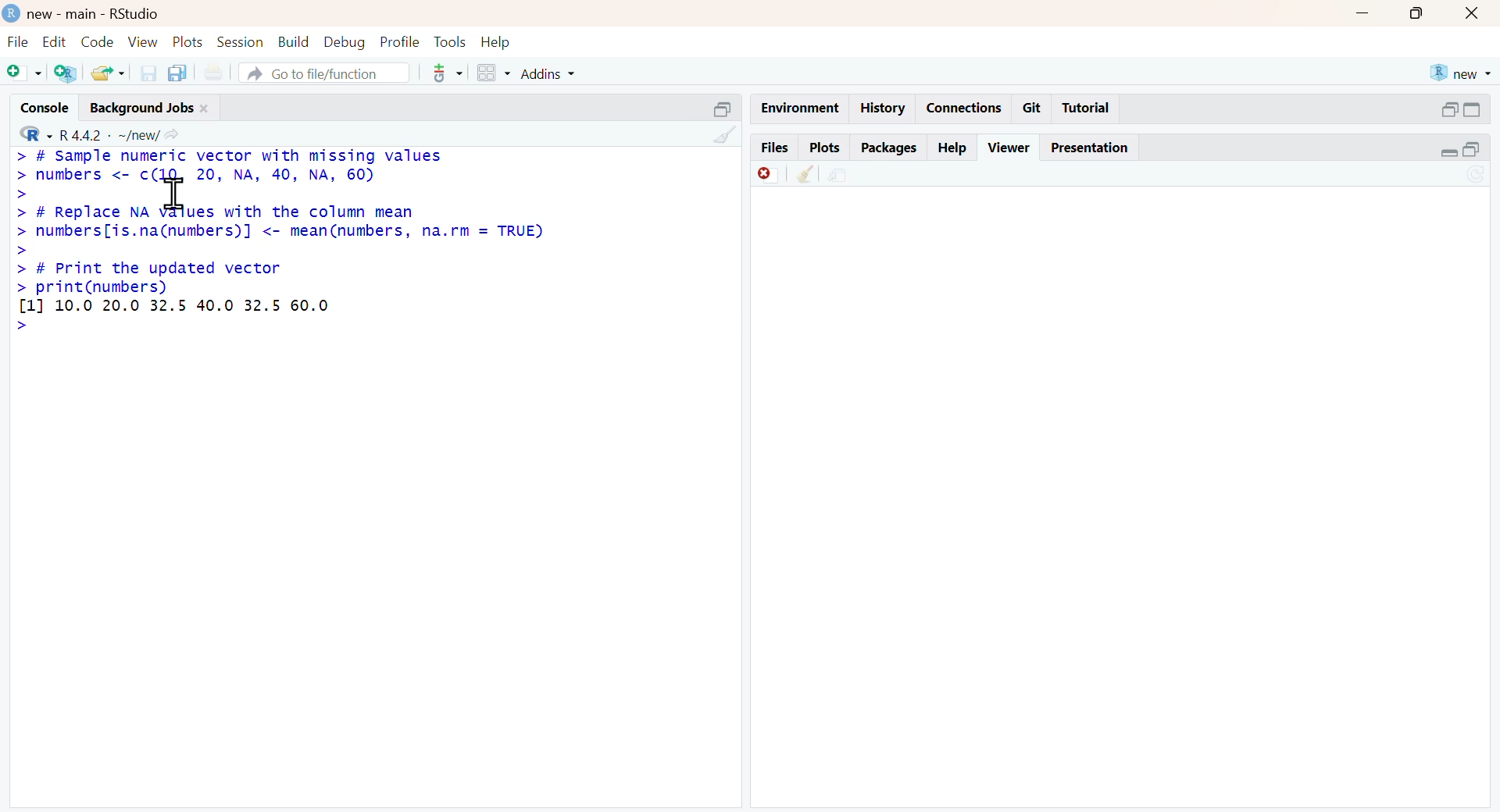 This screenshot has width=1500, height=812. Describe the element at coordinates (890, 150) in the screenshot. I see `packages` at that location.